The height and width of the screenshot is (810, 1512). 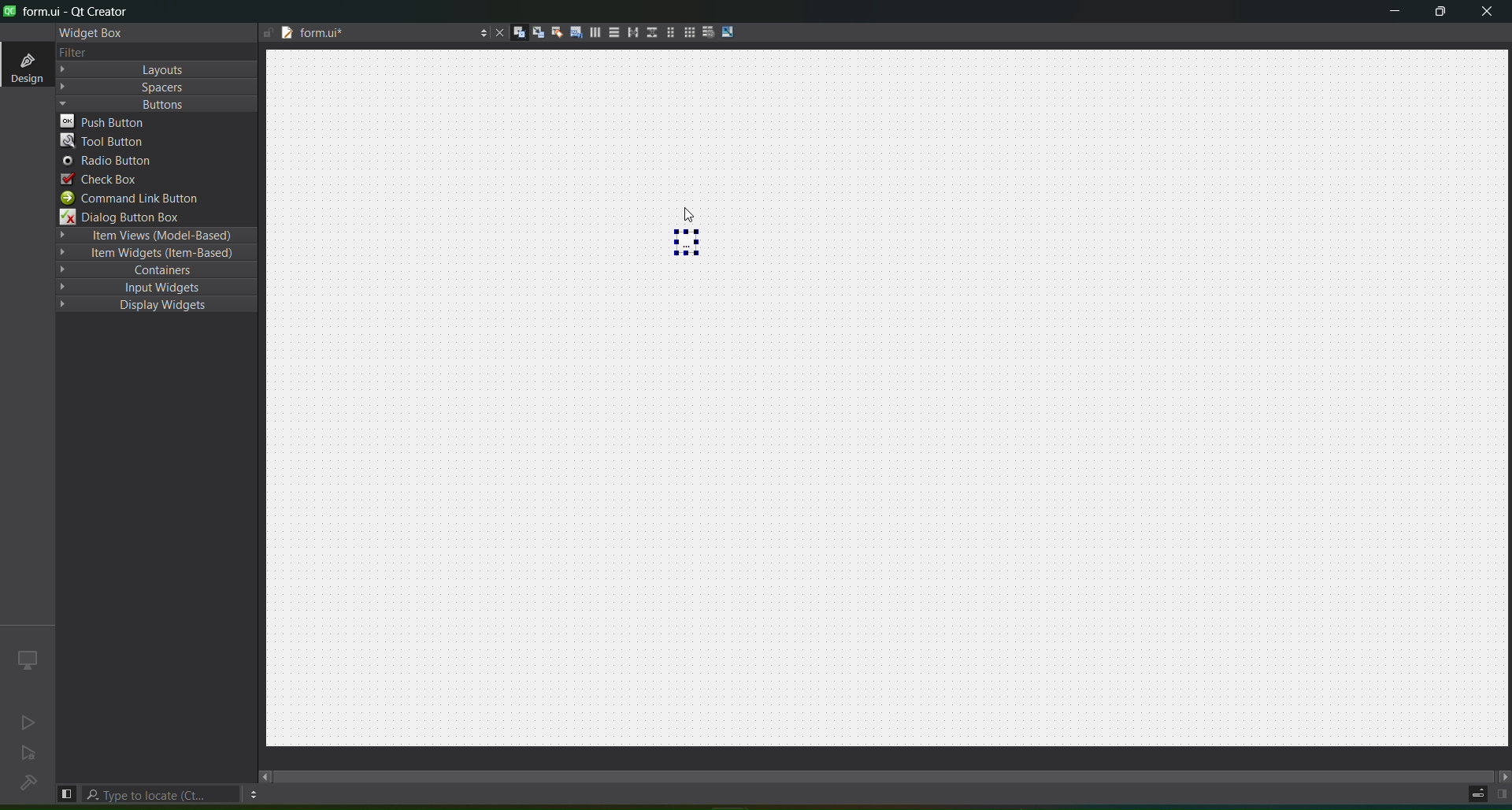 I want to click on Item Widgets, so click(x=159, y=252).